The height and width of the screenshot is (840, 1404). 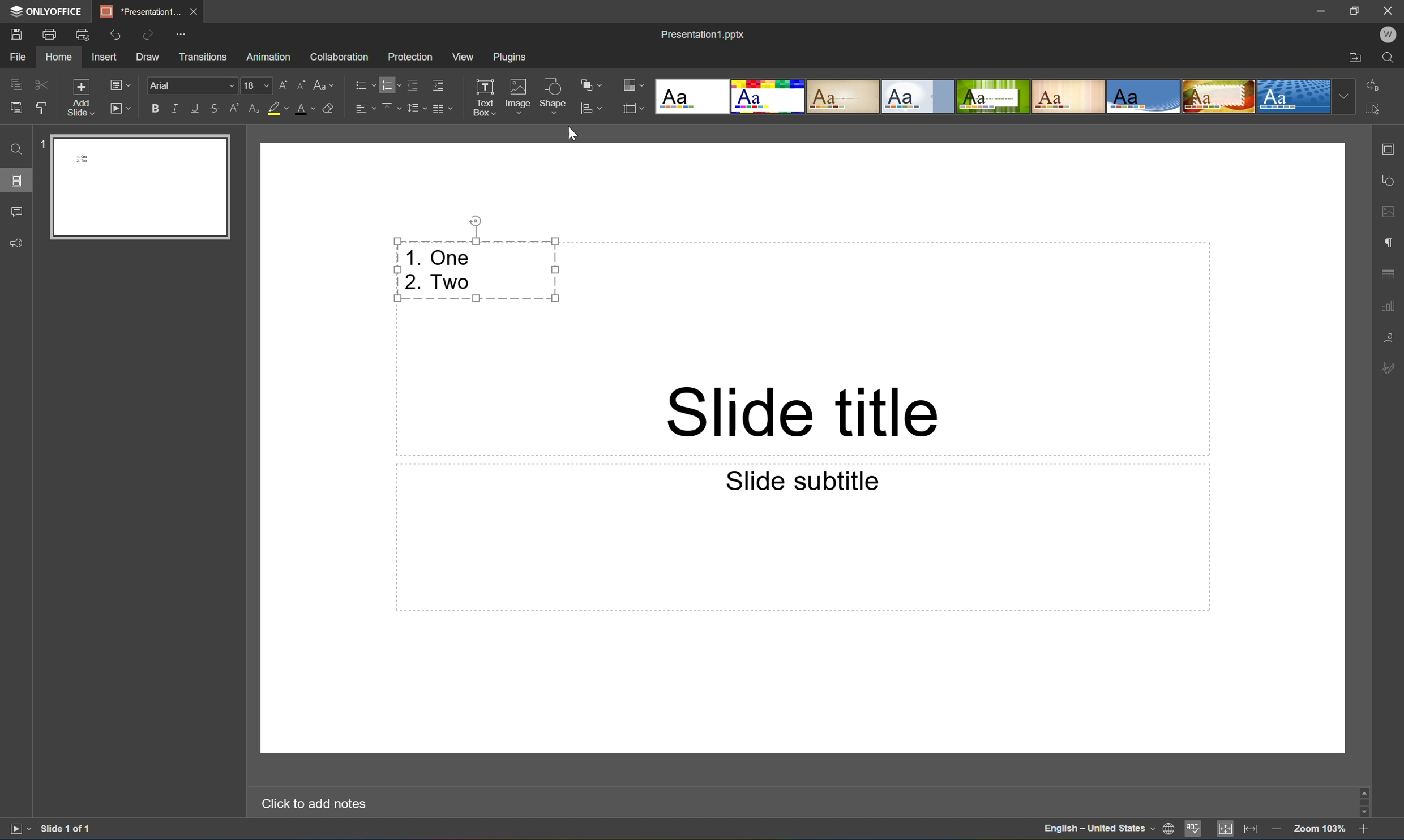 What do you see at coordinates (1007, 96) in the screenshot?
I see `type of slides` at bounding box center [1007, 96].